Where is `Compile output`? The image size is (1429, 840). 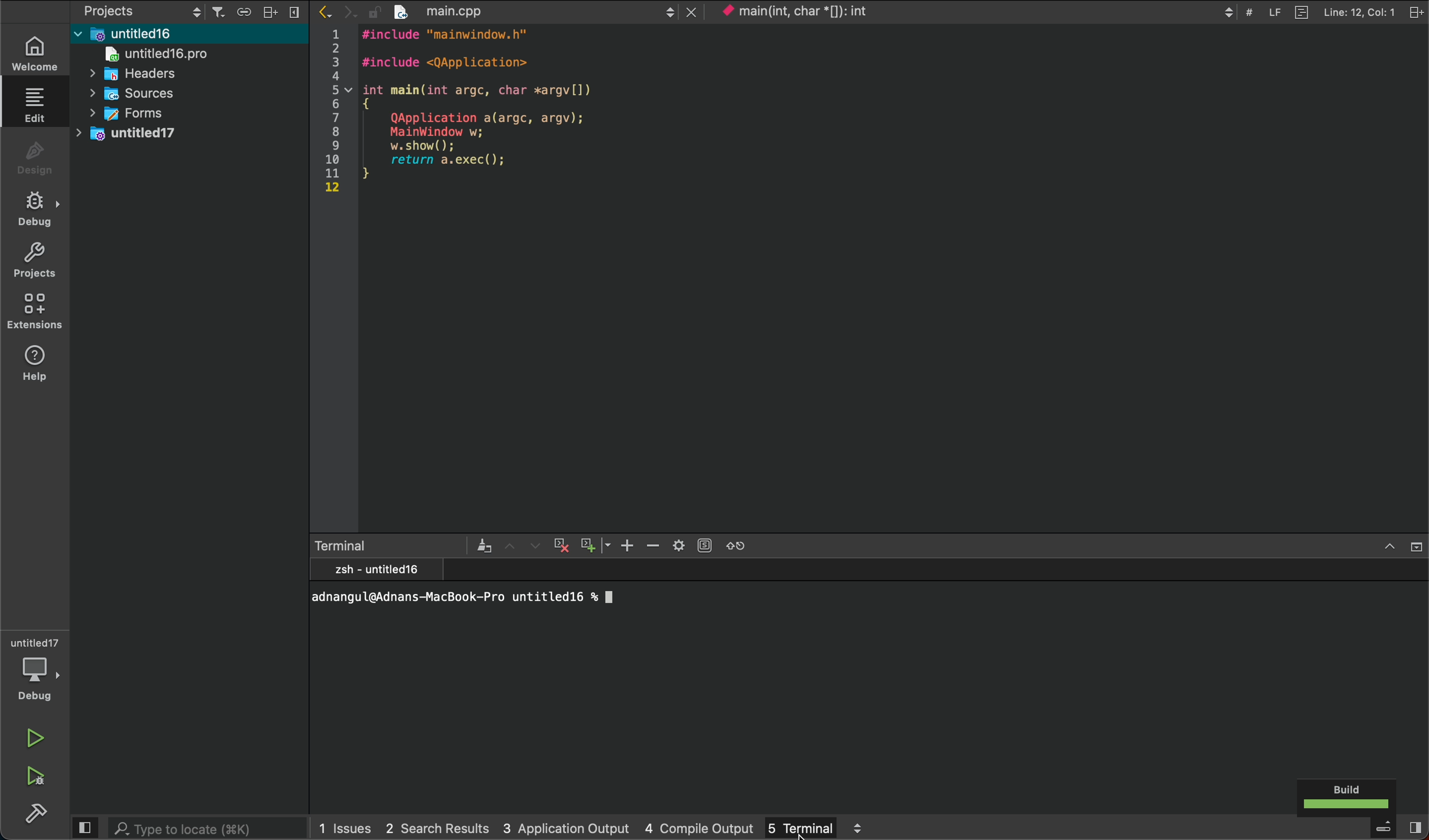
Compile output is located at coordinates (700, 828).